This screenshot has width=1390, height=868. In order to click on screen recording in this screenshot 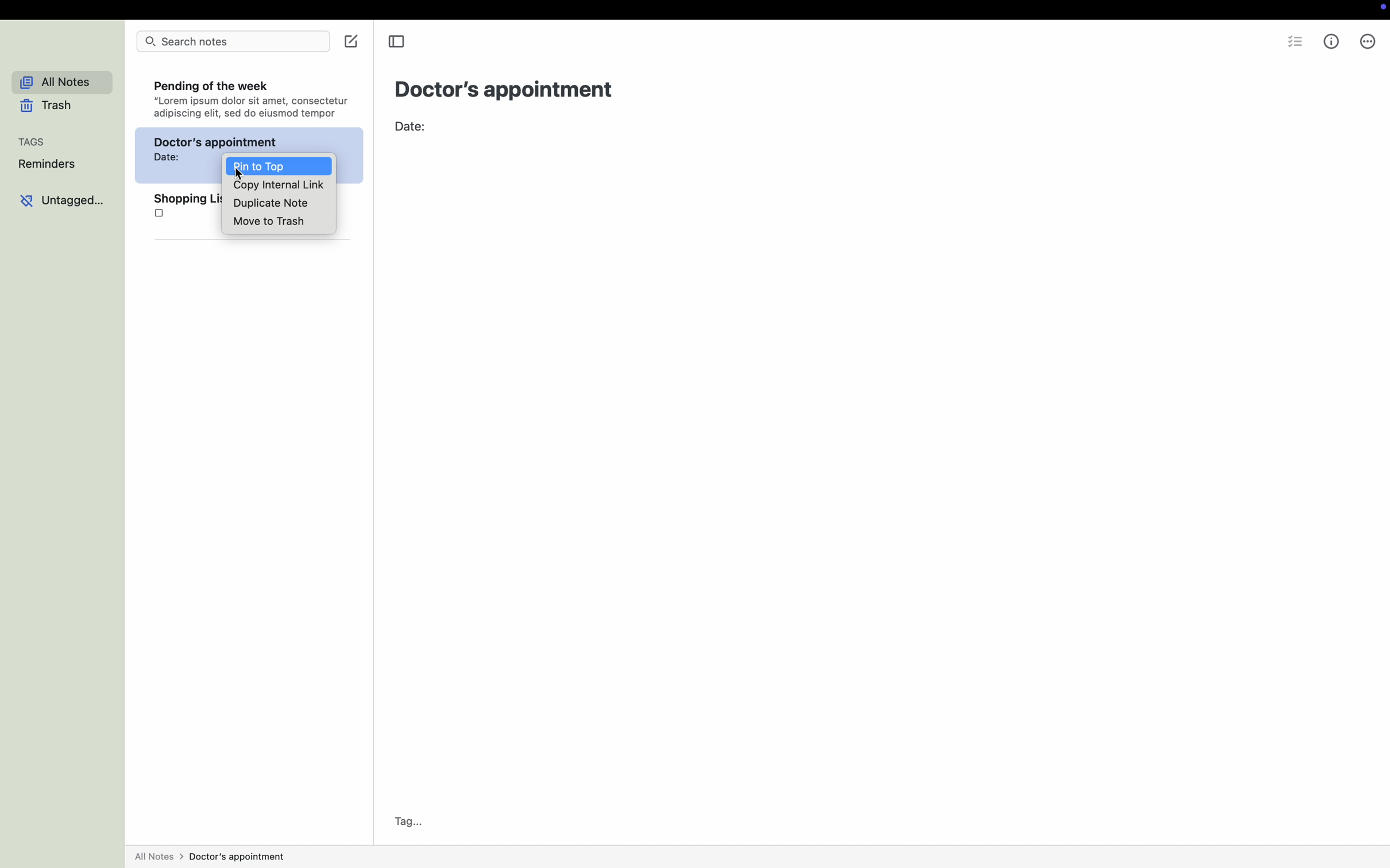, I will do `click(1376, 11)`.